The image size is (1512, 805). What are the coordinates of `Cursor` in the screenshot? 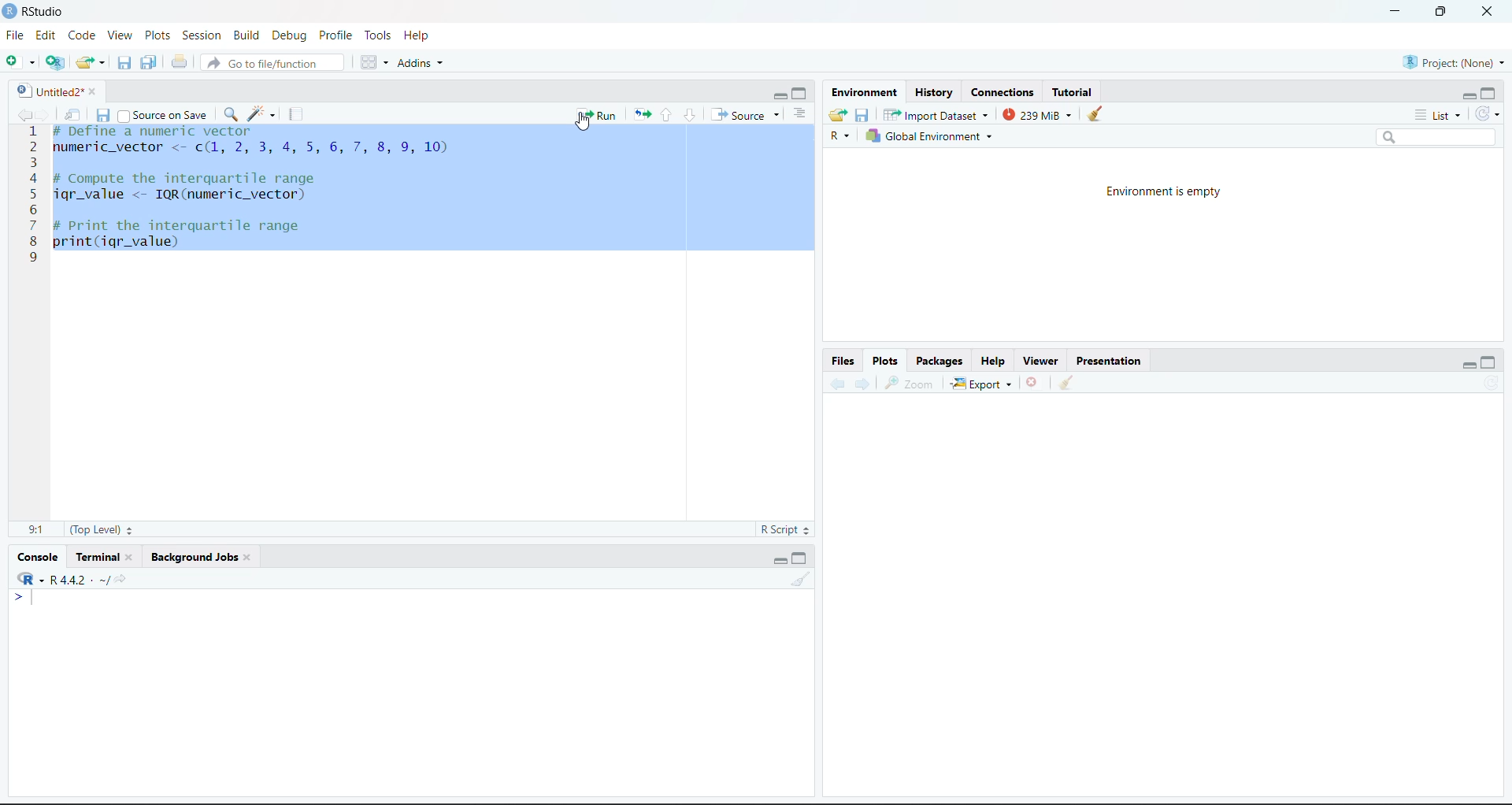 It's located at (590, 130).